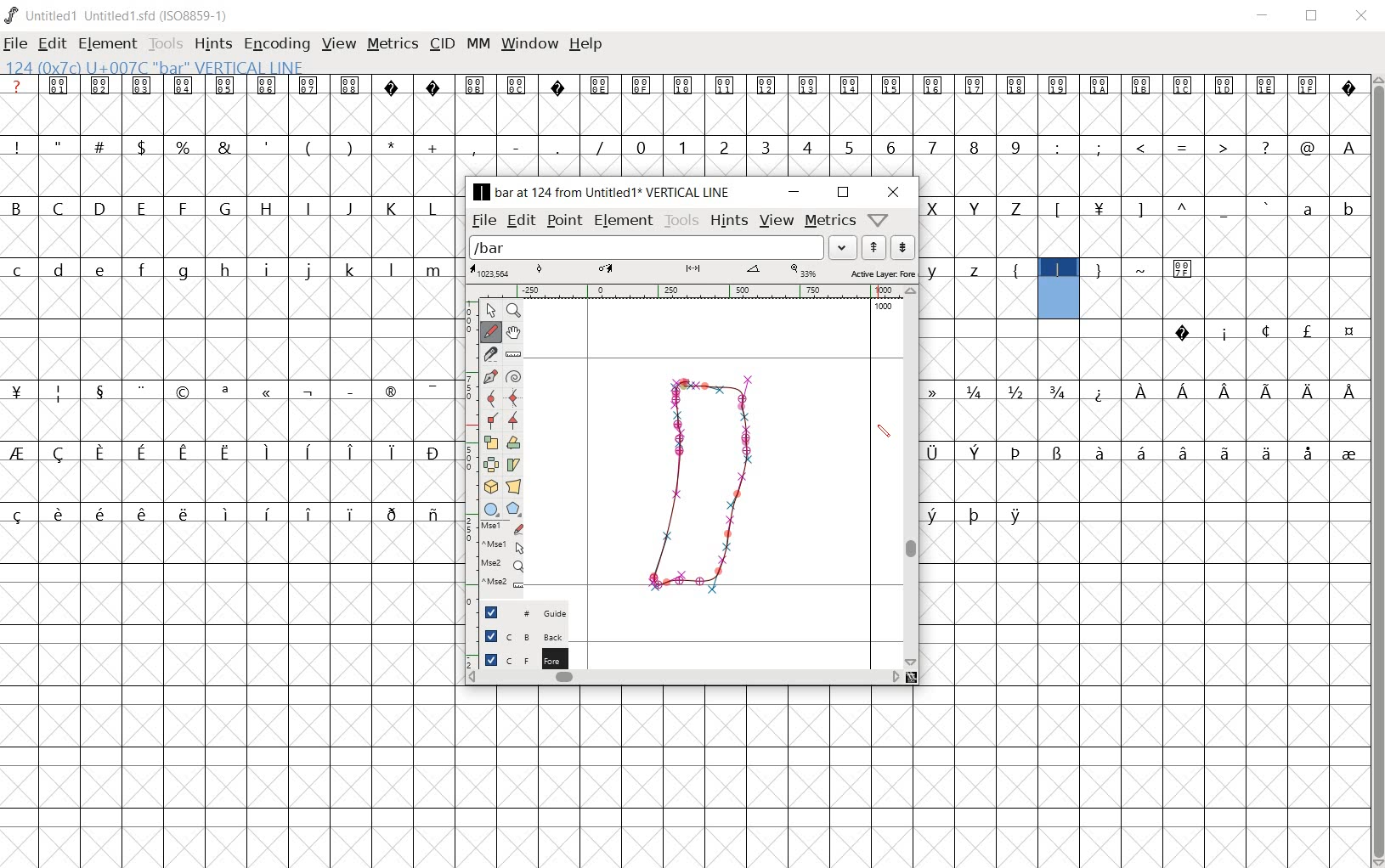 Image resolution: width=1385 pixels, height=868 pixels. What do you see at coordinates (499, 526) in the screenshot?
I see `mse1` at bounding box center [499, 526].